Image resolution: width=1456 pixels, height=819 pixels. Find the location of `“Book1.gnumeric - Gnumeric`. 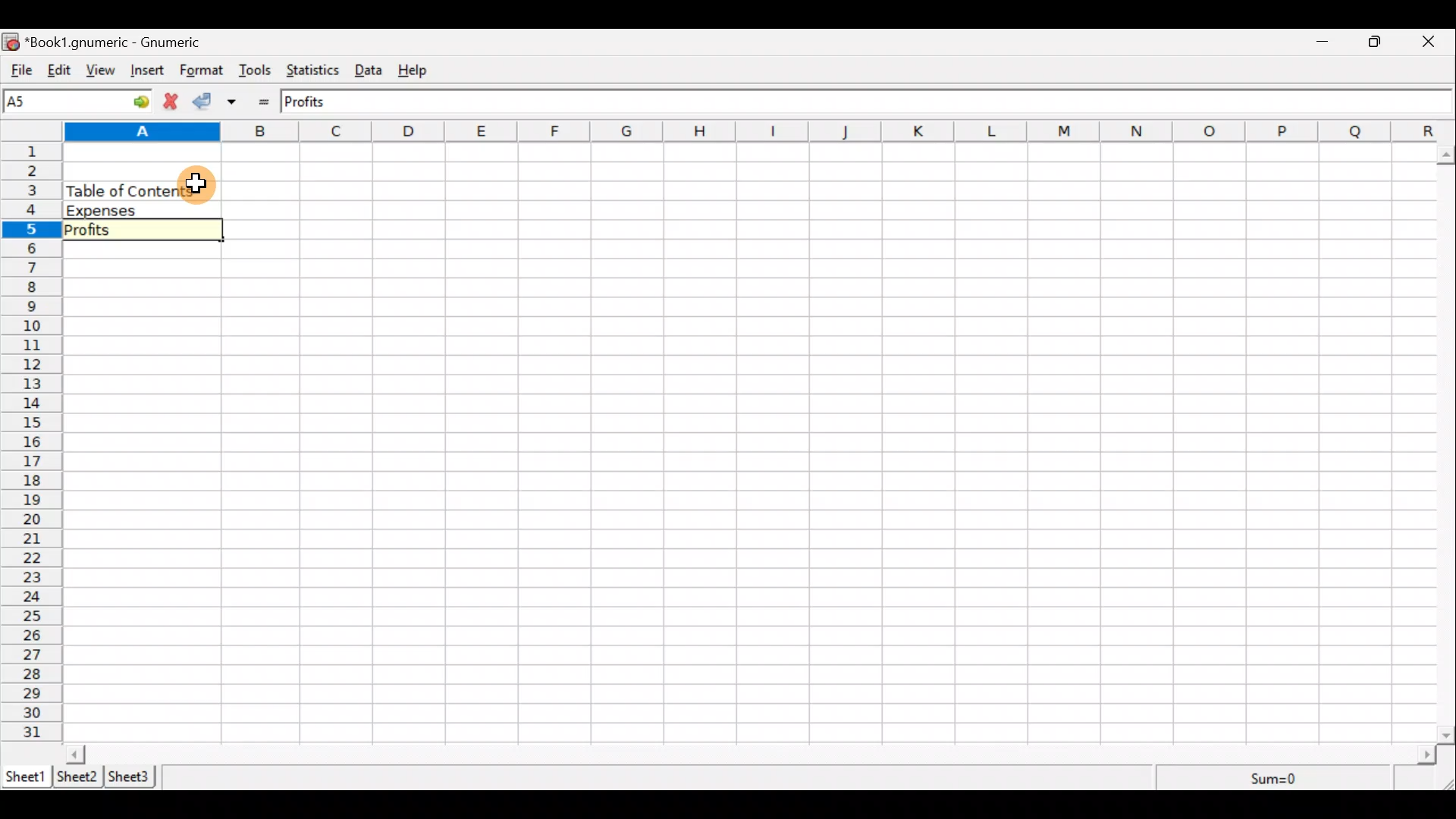

“Book1.gnumeric - Gnumeric is located at coordinates (121, 42).